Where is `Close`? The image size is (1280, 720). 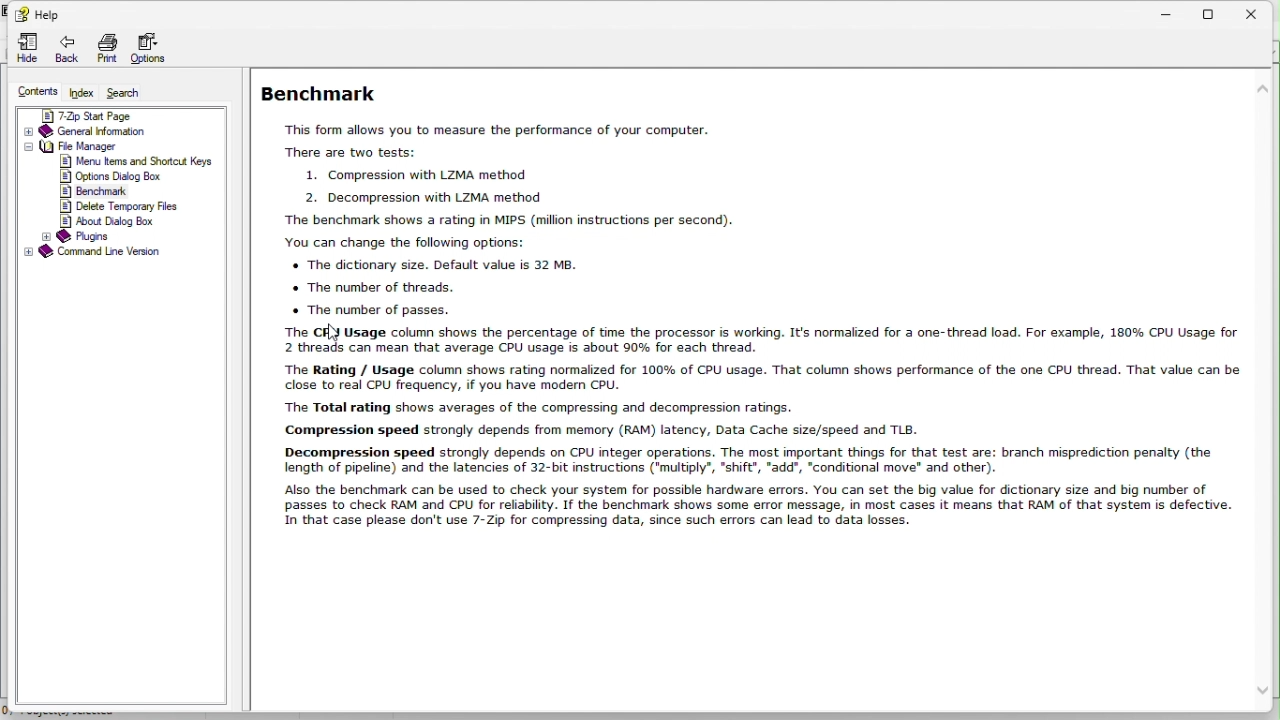
Close is located at coordinates (1260, 13).